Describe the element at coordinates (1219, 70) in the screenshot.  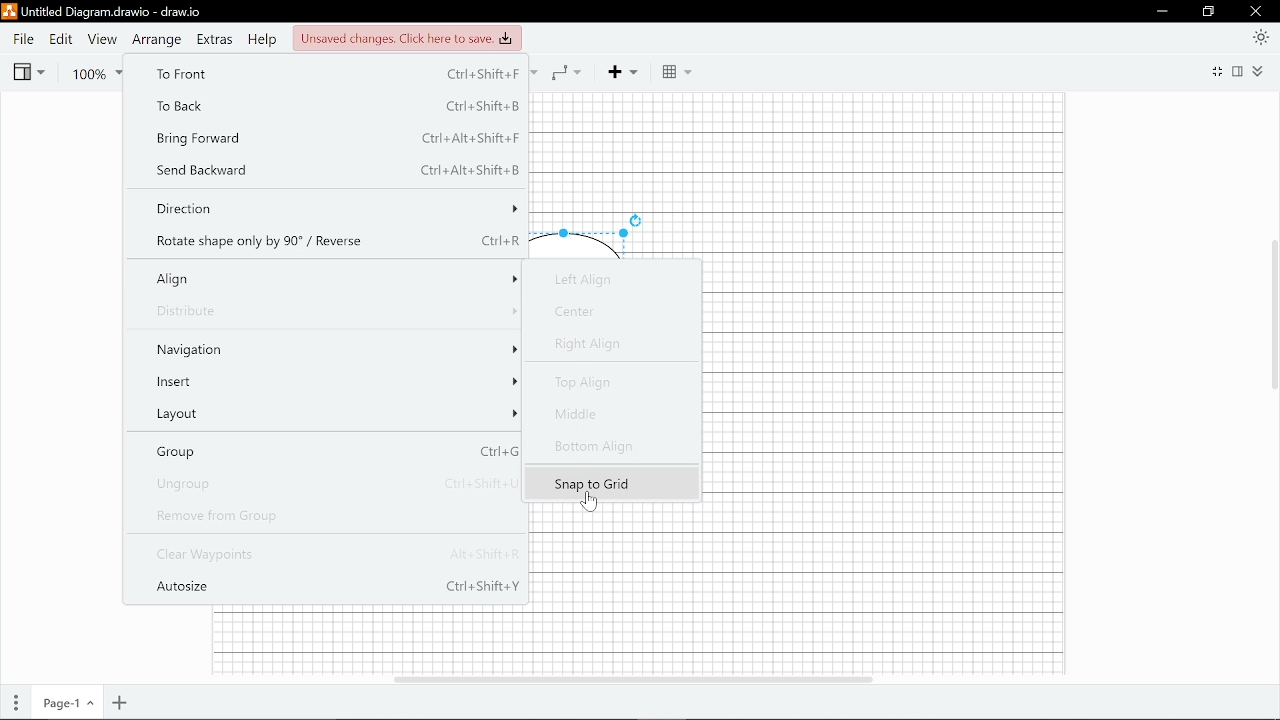
I see `Fullscreen` at that location.